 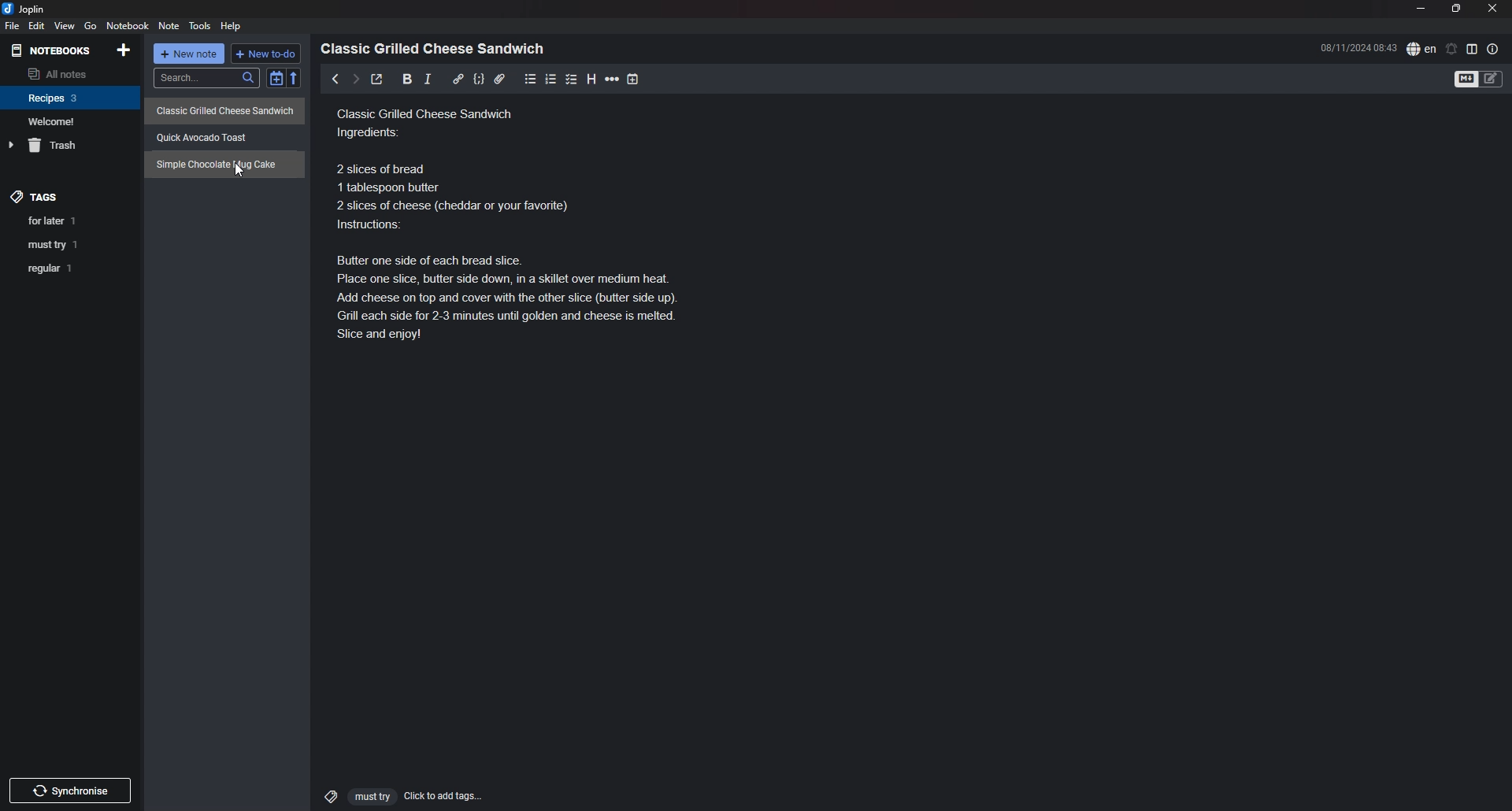 I want to click on checkbox, so click(x=572, y=79).